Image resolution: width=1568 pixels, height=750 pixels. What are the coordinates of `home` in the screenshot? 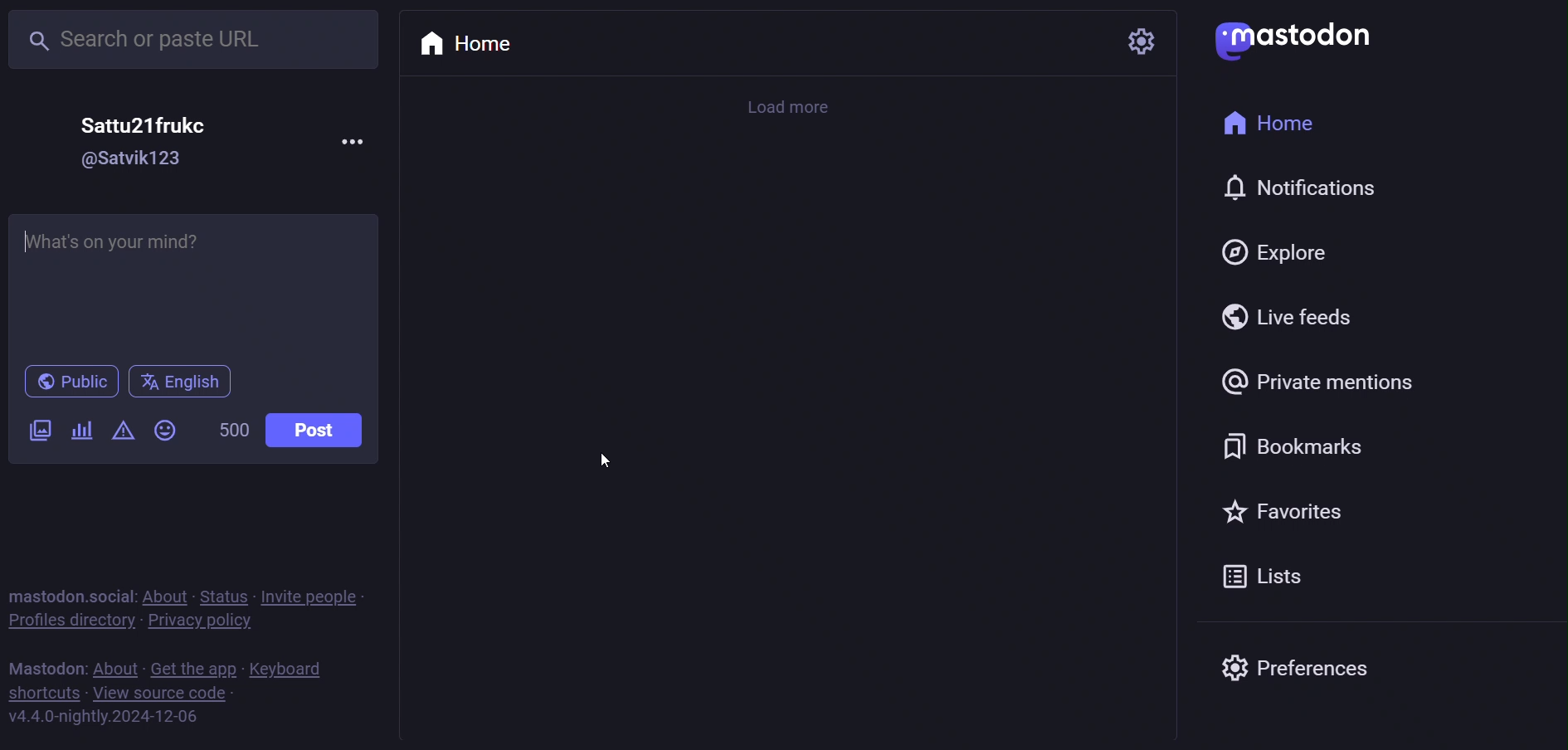 It's located at (480, 43).